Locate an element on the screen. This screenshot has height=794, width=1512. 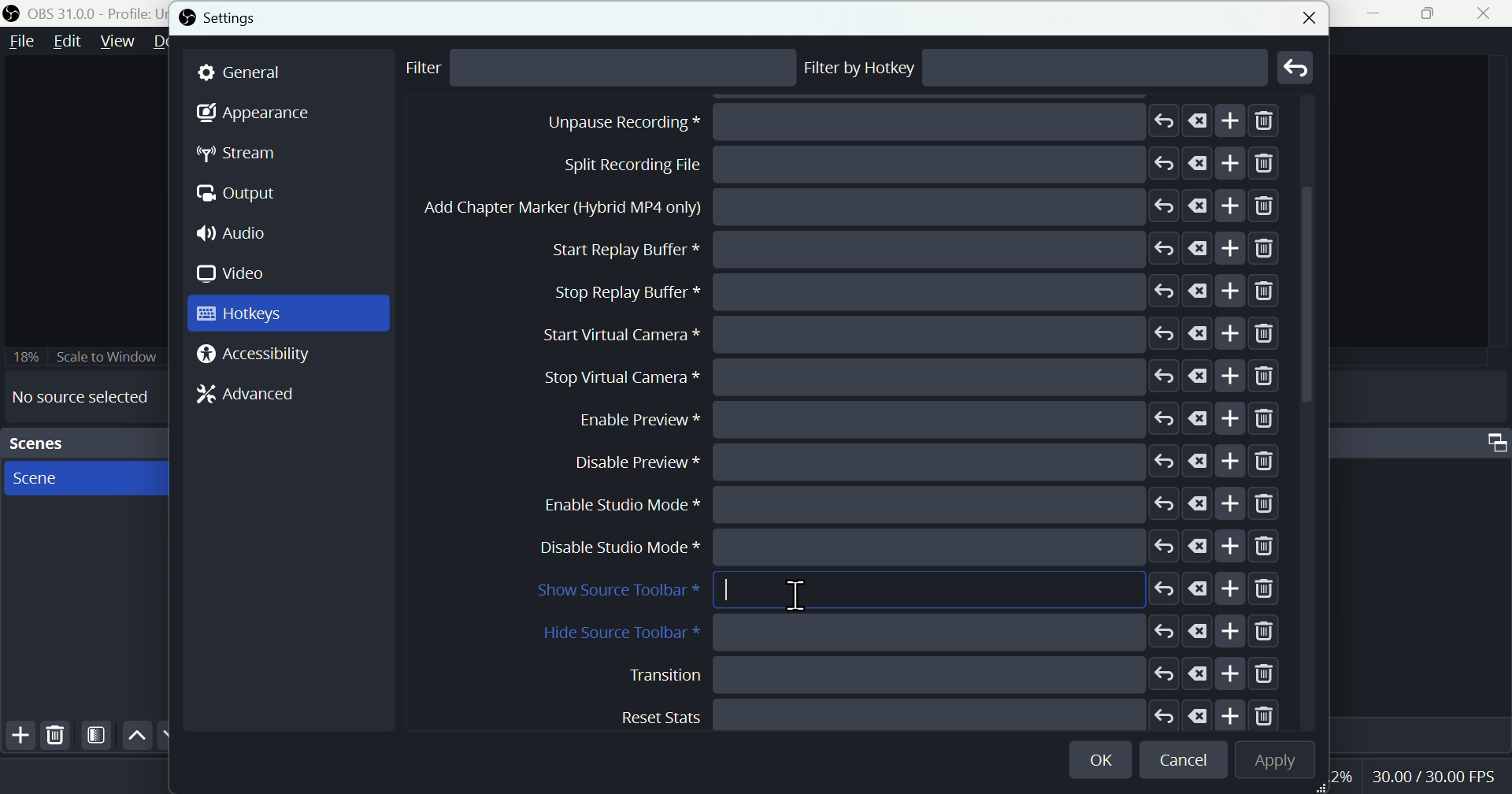
Apply is located at coordinates (1272, 761).